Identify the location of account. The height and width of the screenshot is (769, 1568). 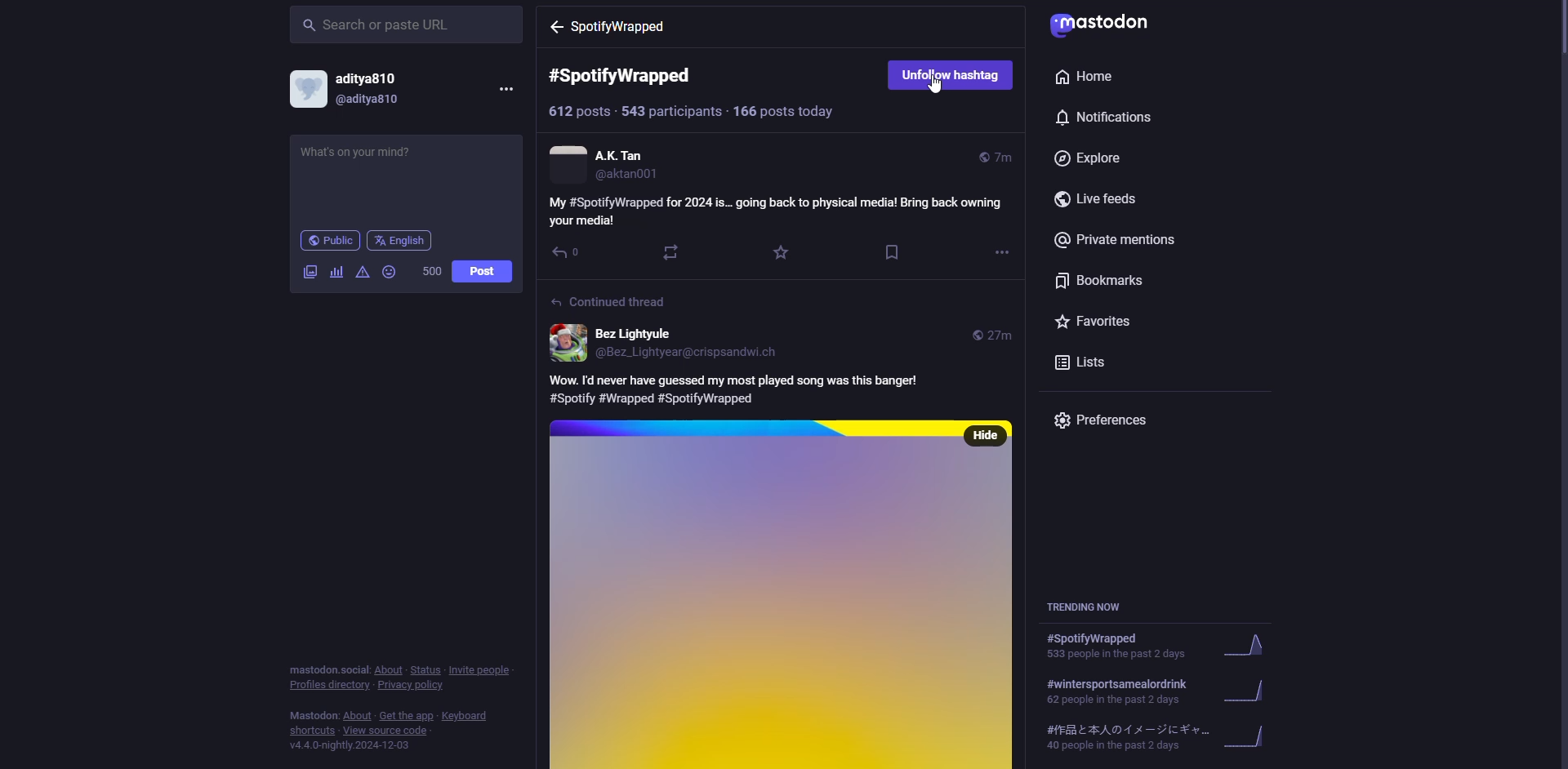
(671, 341).